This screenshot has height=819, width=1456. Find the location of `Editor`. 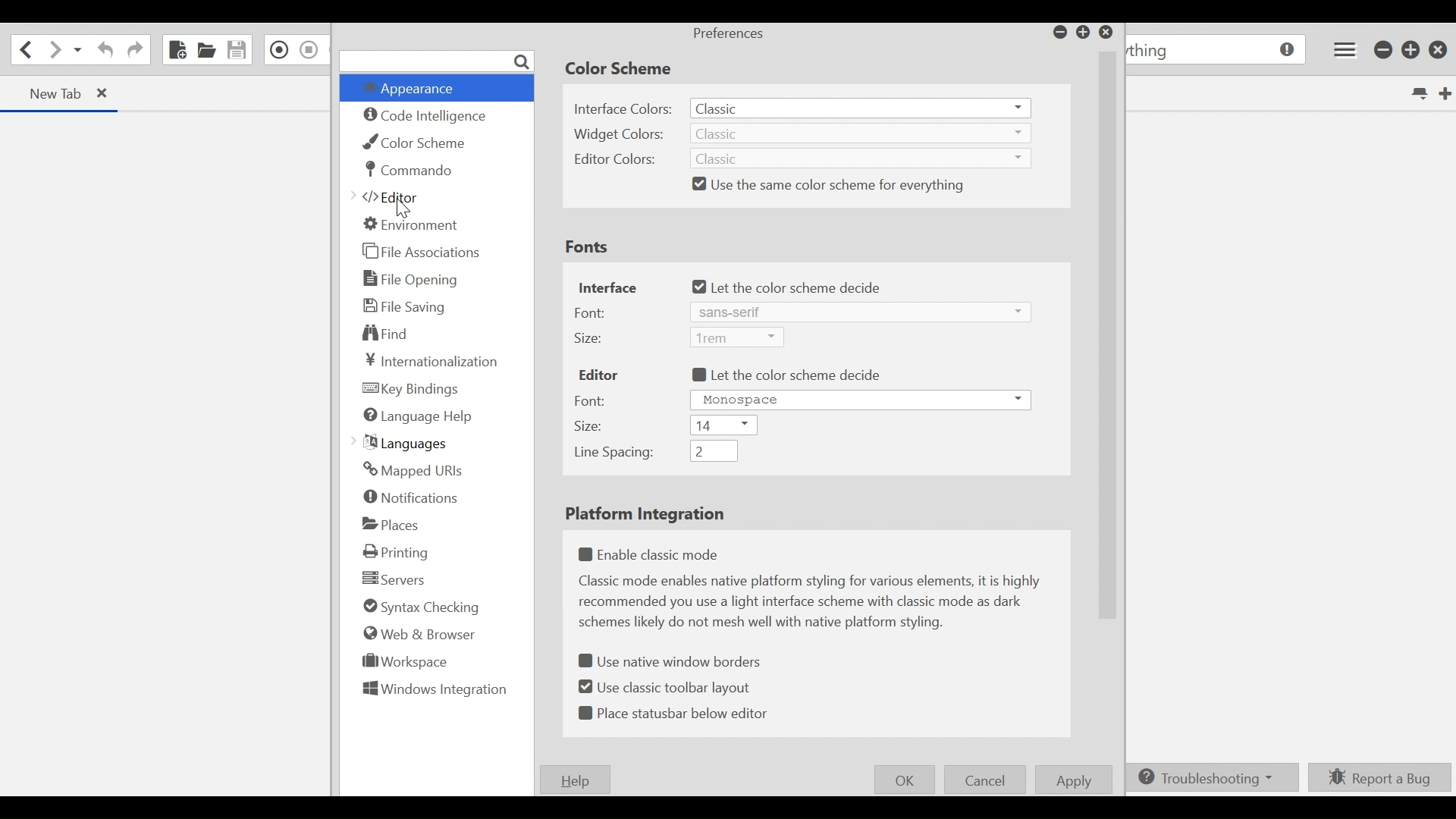

Editor is located at coordinates (392, 197).